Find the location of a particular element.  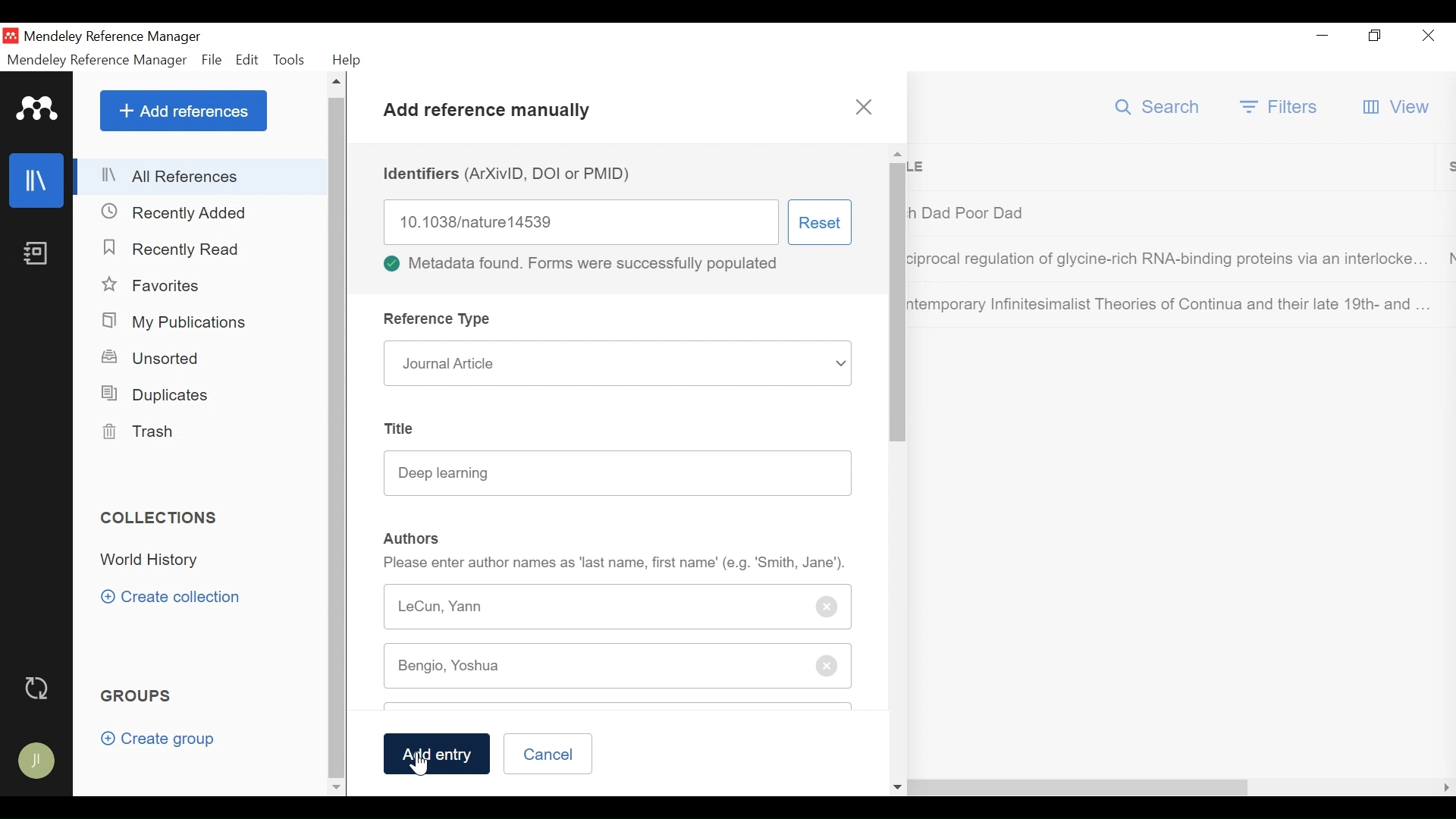

Scroll down is located at coordinates (334, 789).